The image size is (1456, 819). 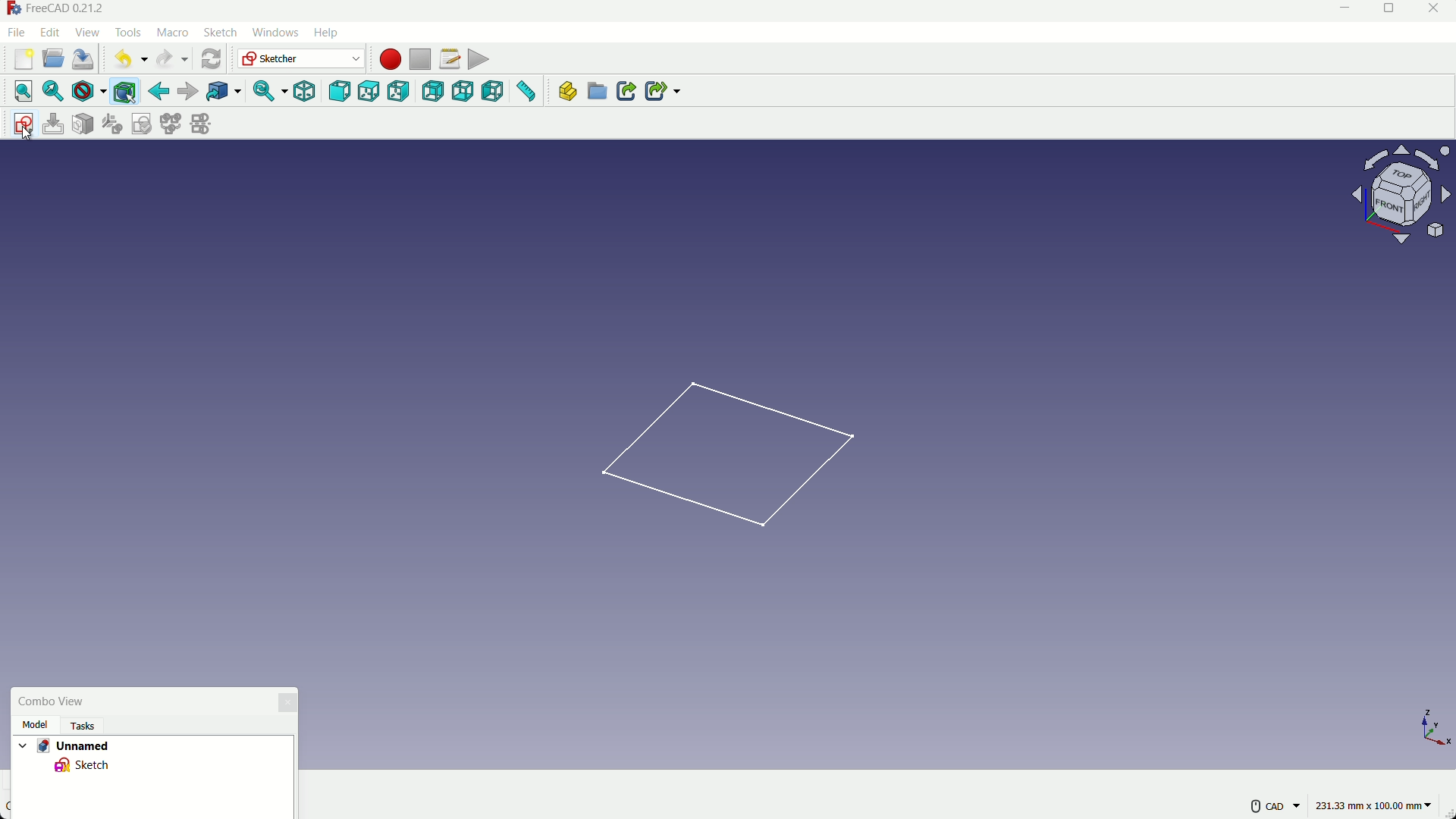 What do you see at coordinates (400, 92) in the screenshot?
I see `right view` at bounding box center [400, 92].